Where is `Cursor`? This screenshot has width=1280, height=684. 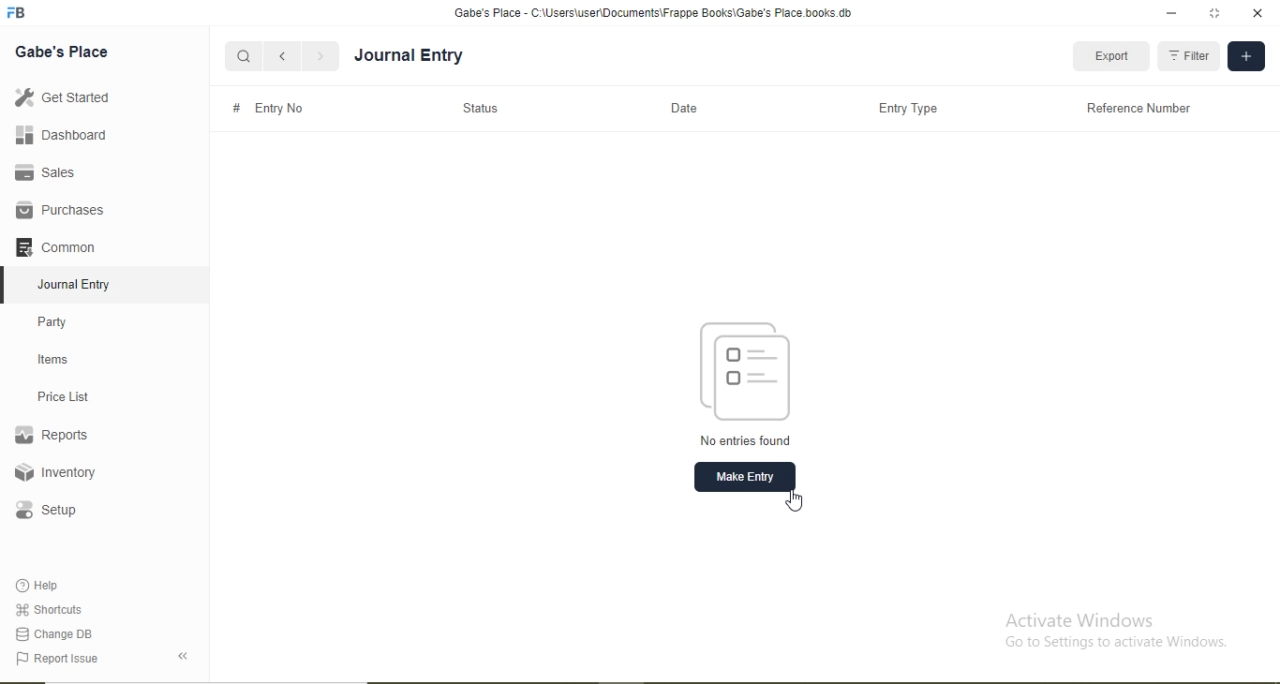
Cursor is located at coordinates (794, 502).